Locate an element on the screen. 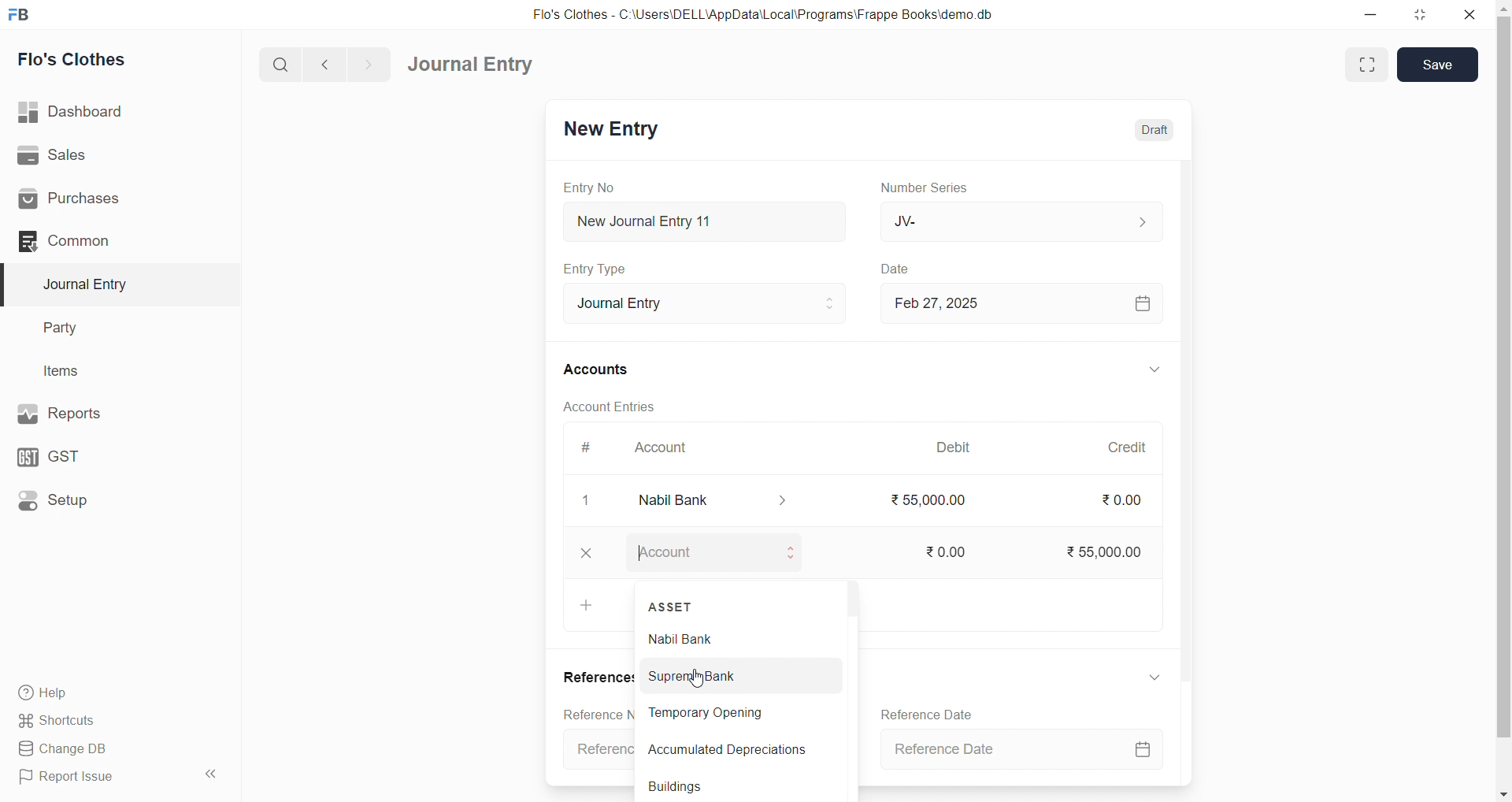  vertical scroll bar is located at coordinates (1503, 399).